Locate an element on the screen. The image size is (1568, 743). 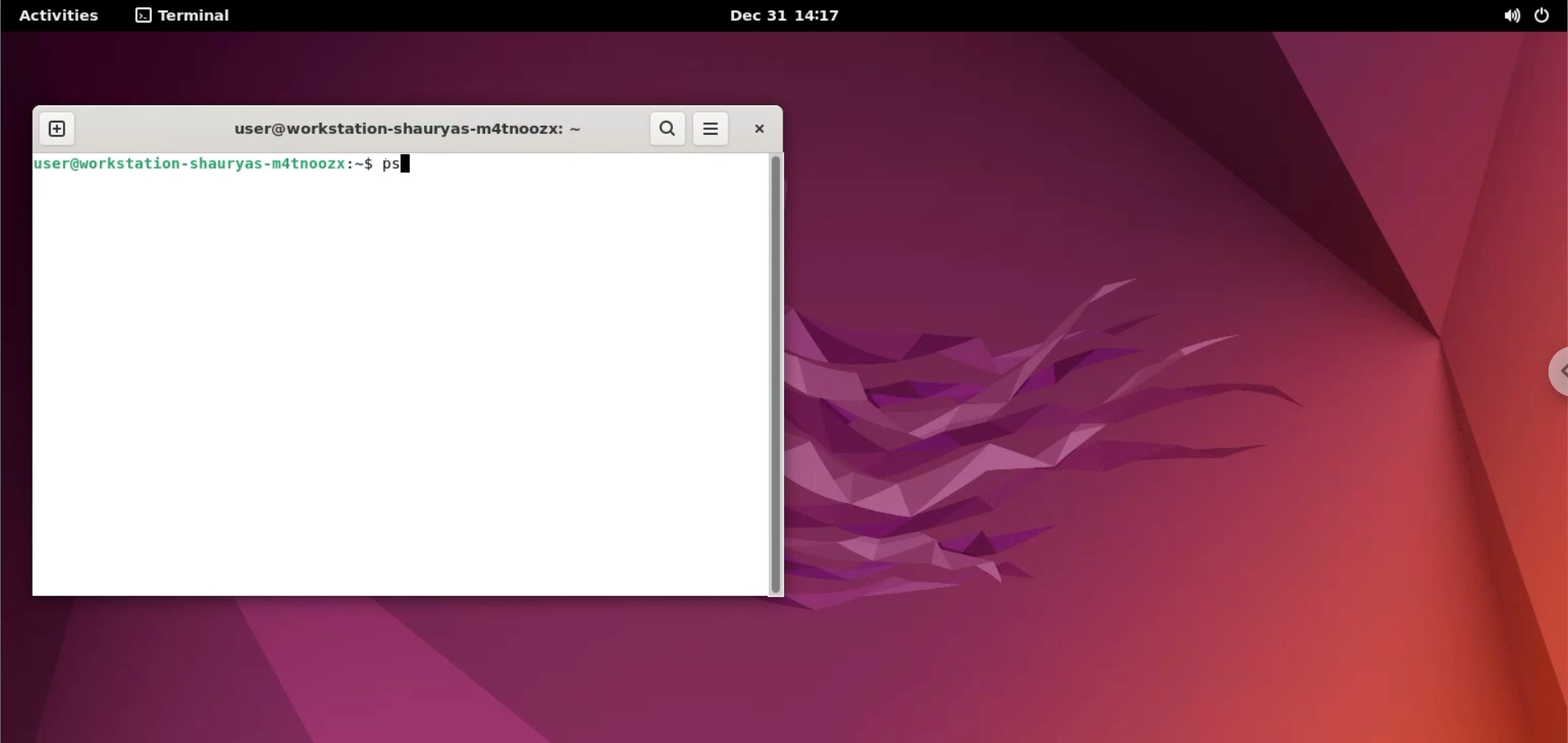
ps is located at coordinates (401, 164).